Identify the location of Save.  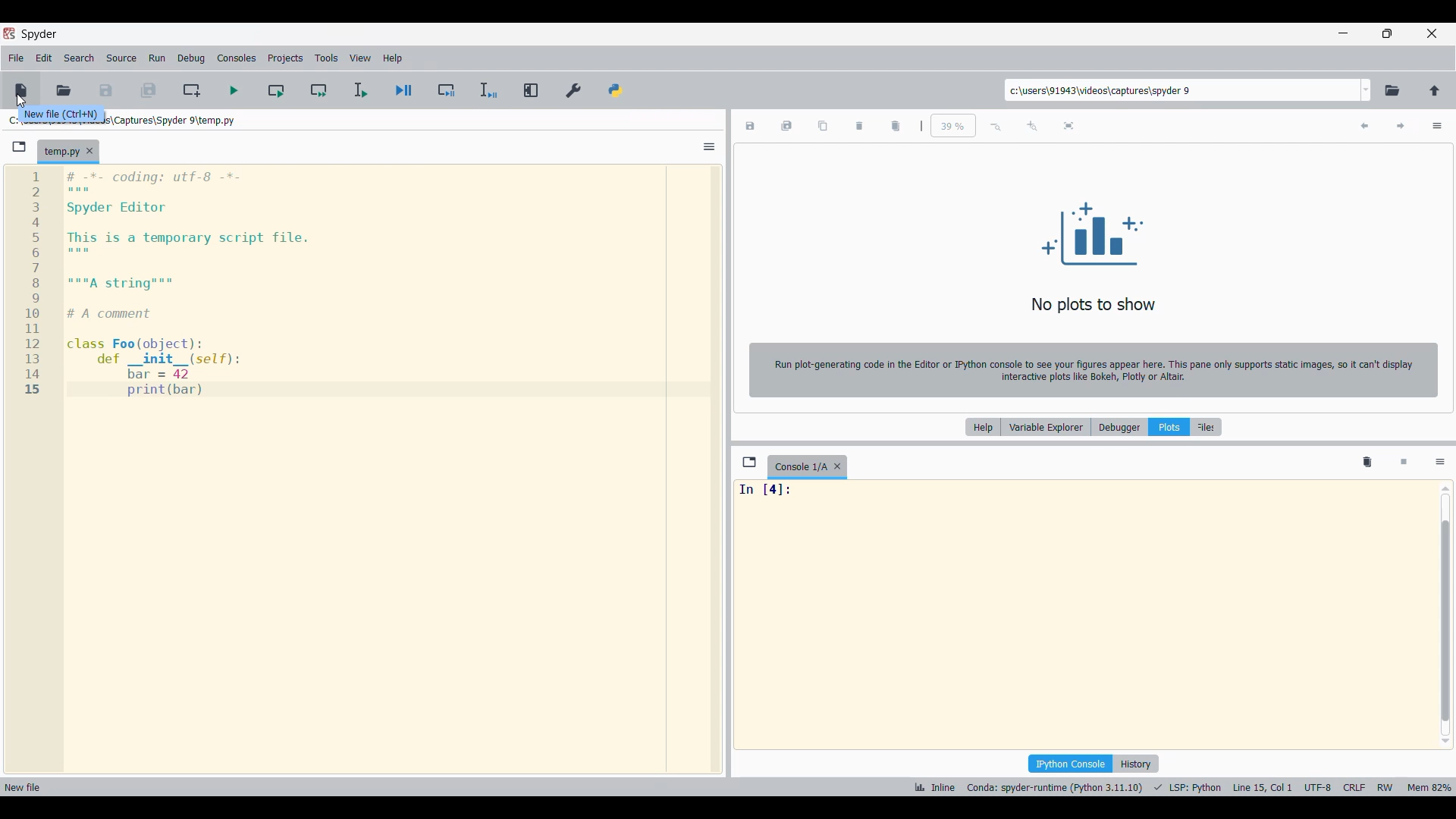
(105, 89).